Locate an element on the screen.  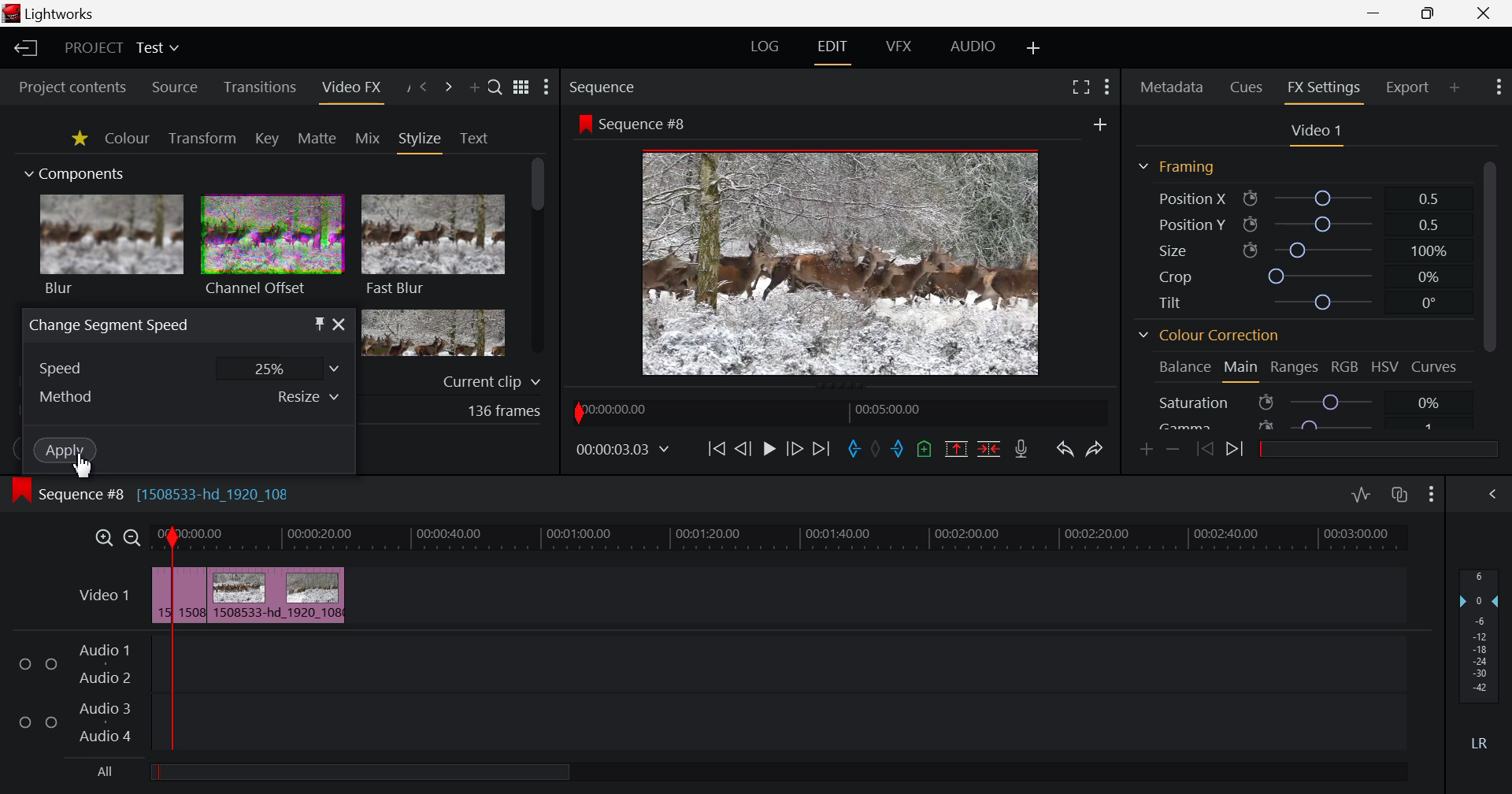
Size is located at coordinates (1299, 250).